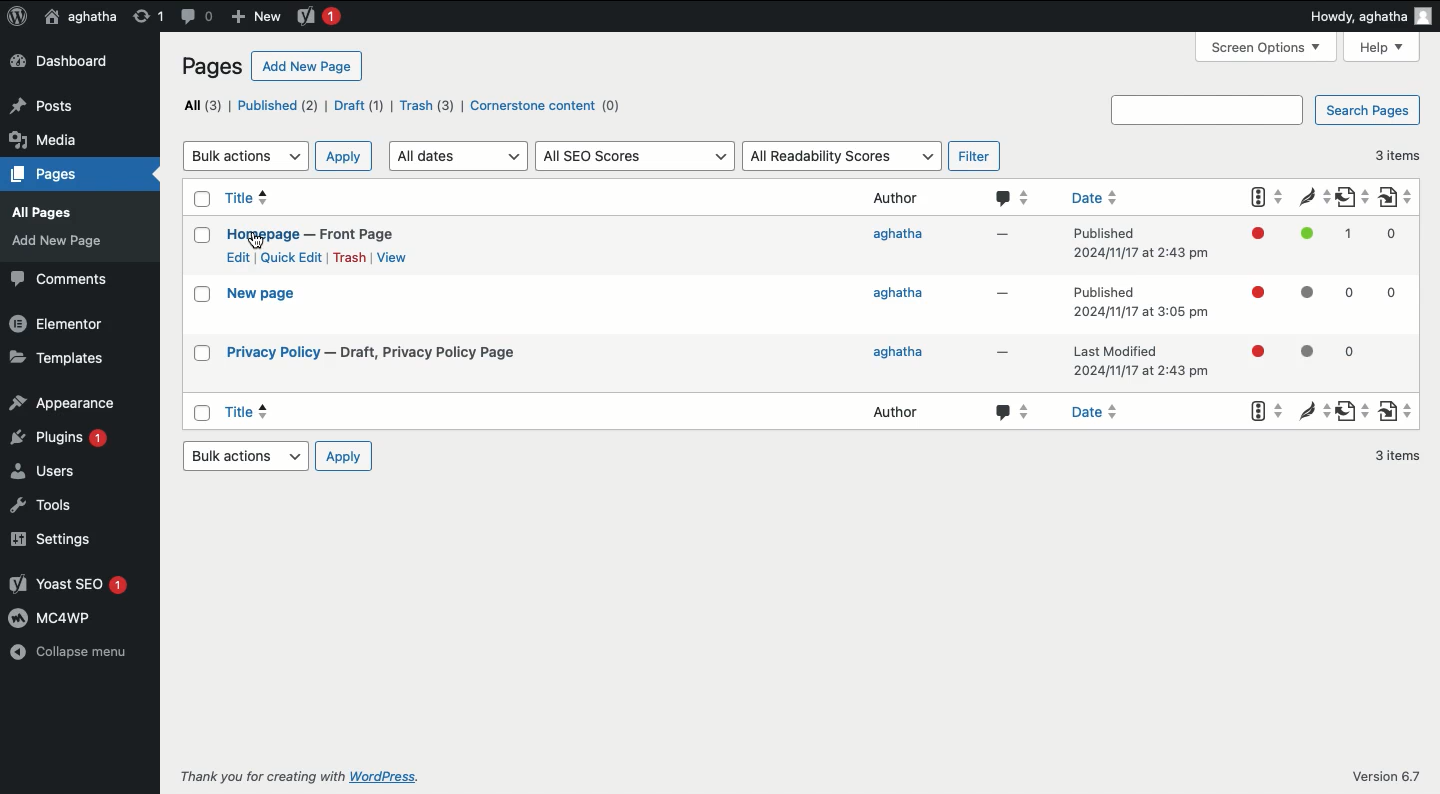 This screenshot has height=794, width=1440. I want to click on Checkbox, so click(199, 306).